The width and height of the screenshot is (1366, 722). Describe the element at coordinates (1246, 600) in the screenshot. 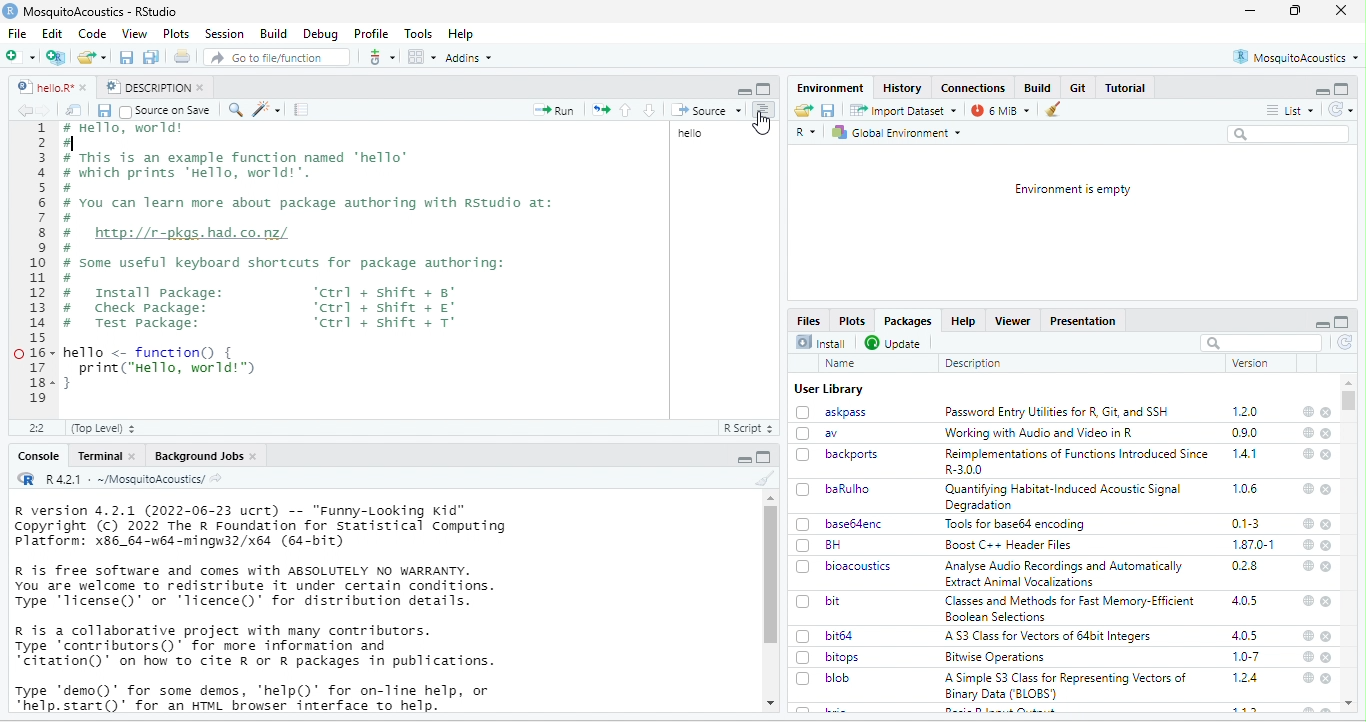

I see `4.0.5` at that location.